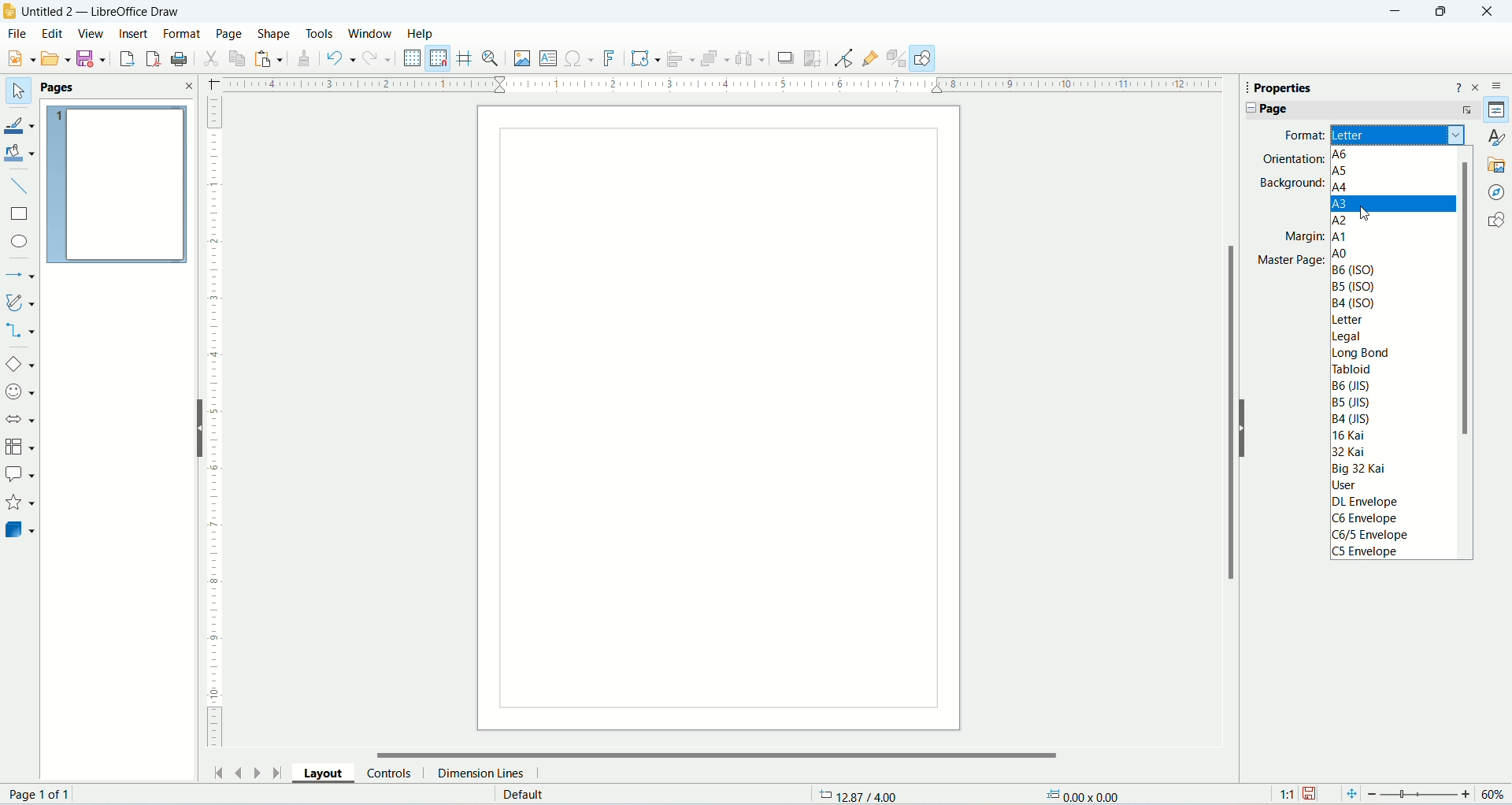  What do you see at coordinates (1298, 237) in the screenshot?
I see `Margins` at bounding box center [1298, 237].